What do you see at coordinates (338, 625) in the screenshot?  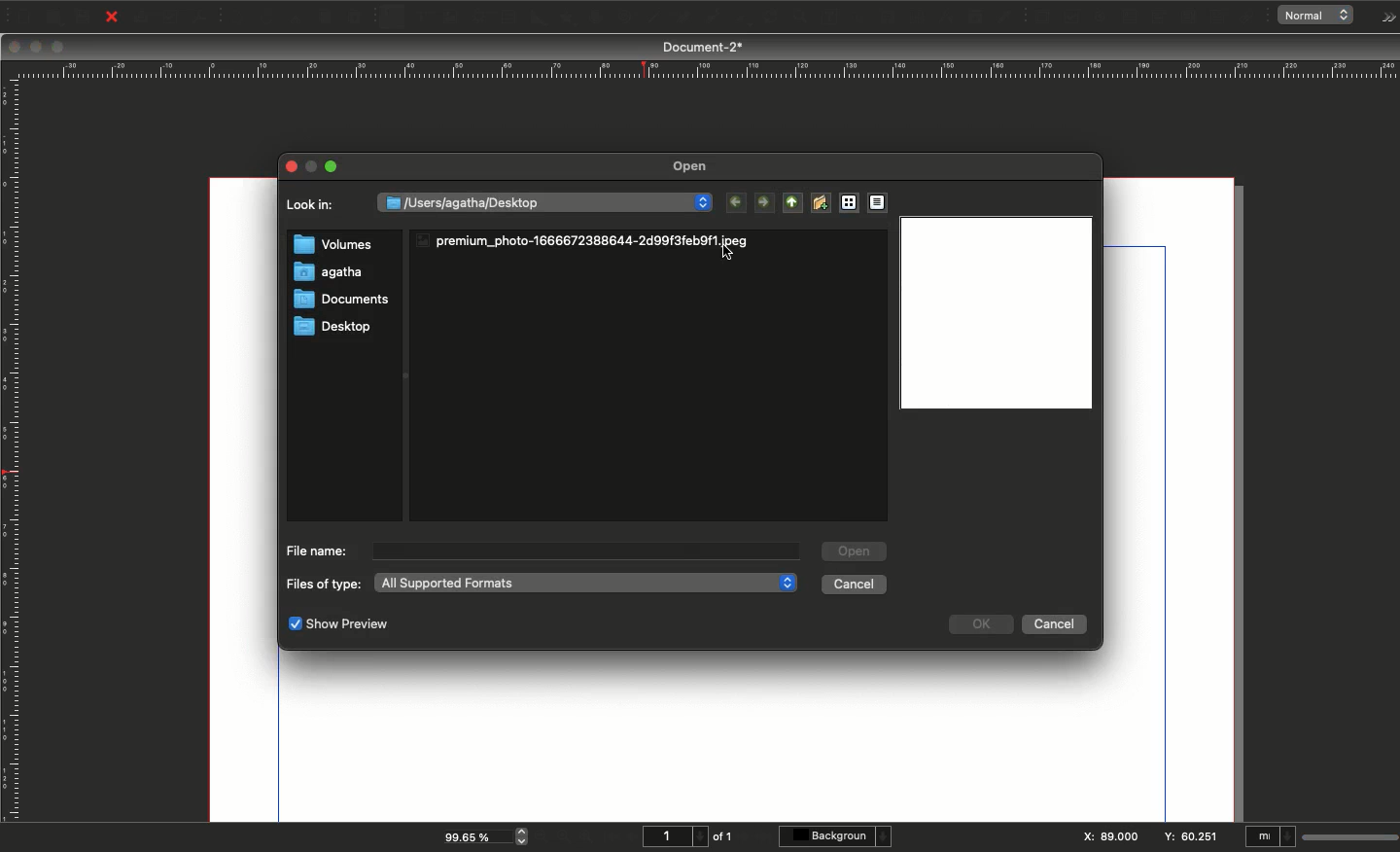 I see `Show preview` at bounding box center [338, 625].